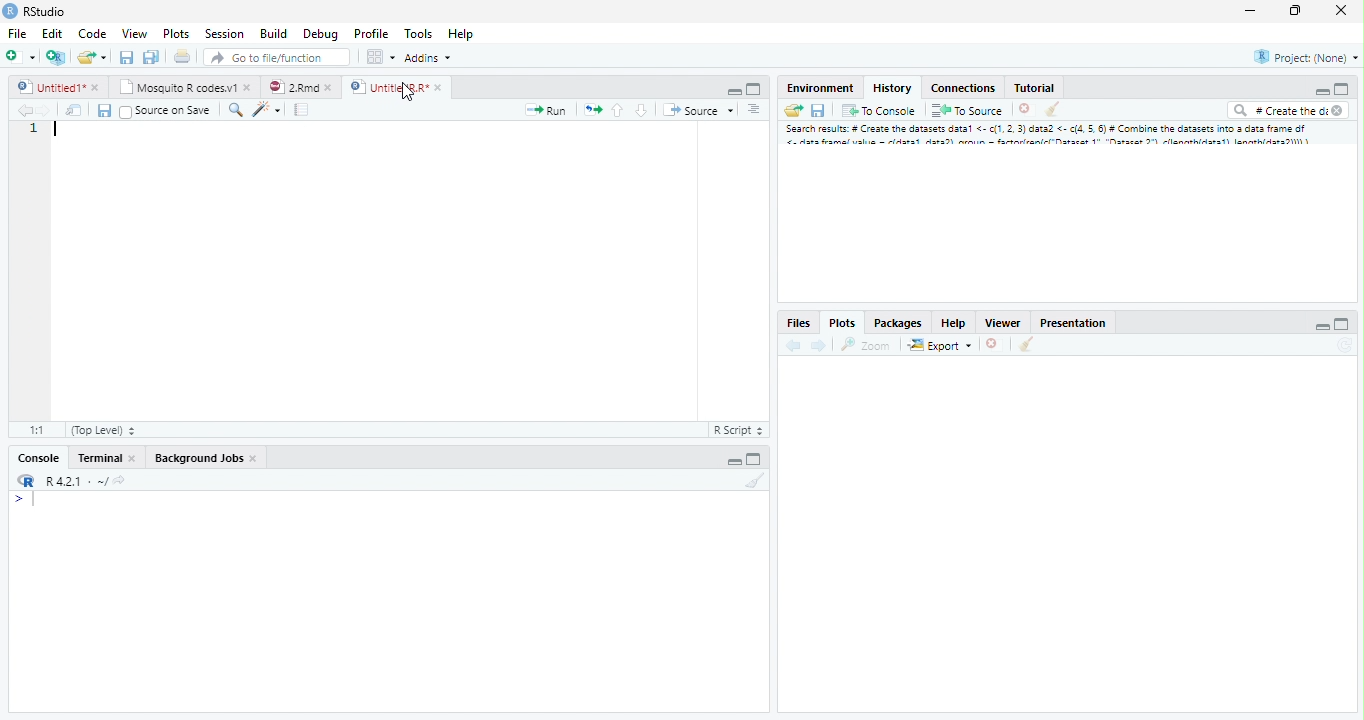 The width and height of the screenshot is (1364, 720). What do you see at coordinates (1340, 90) in the screenshot?
I see `Maximize` at bounding box center [1340, 90].